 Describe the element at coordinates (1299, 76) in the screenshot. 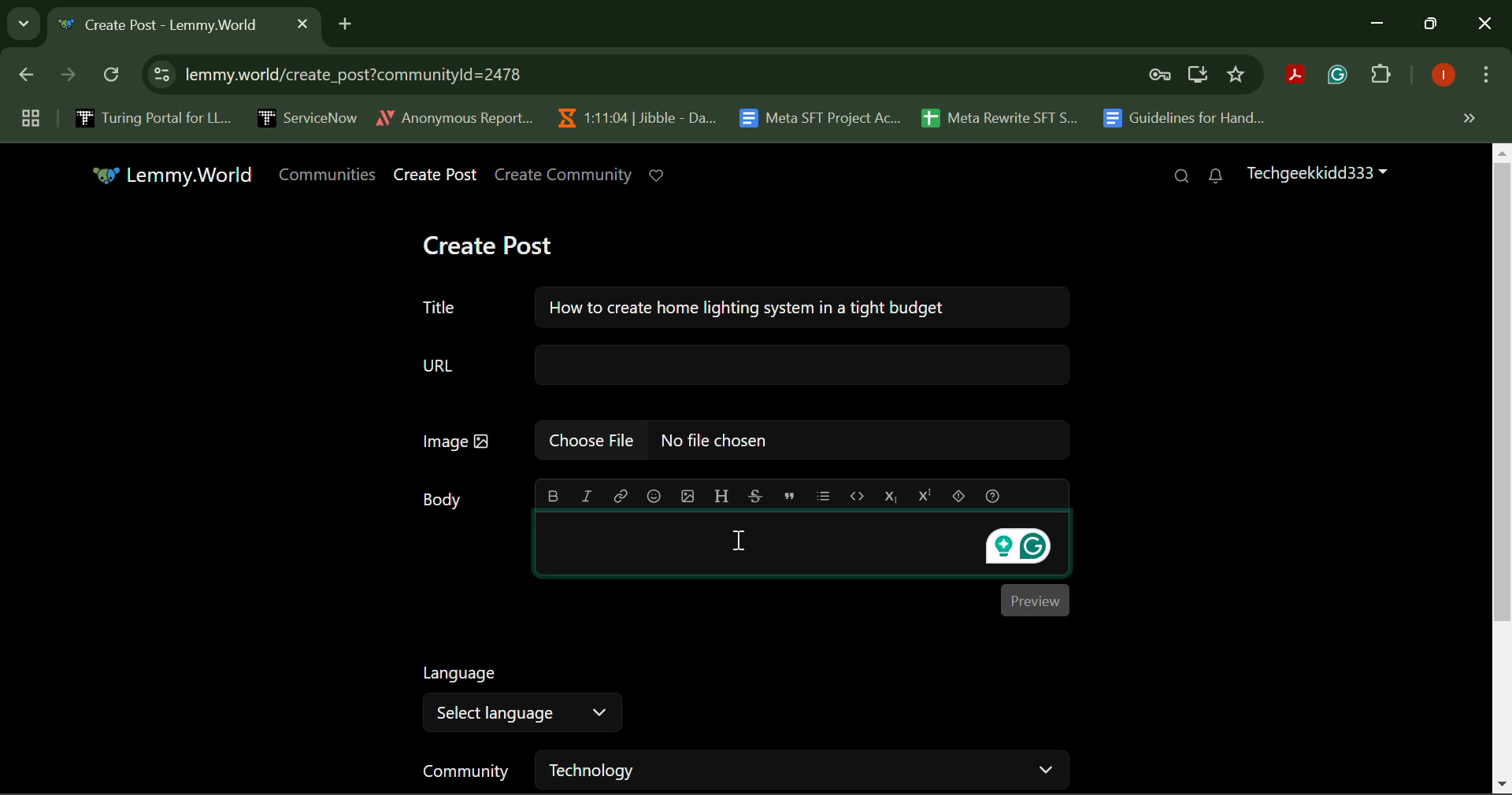

I see `Browser Extension` at that location.